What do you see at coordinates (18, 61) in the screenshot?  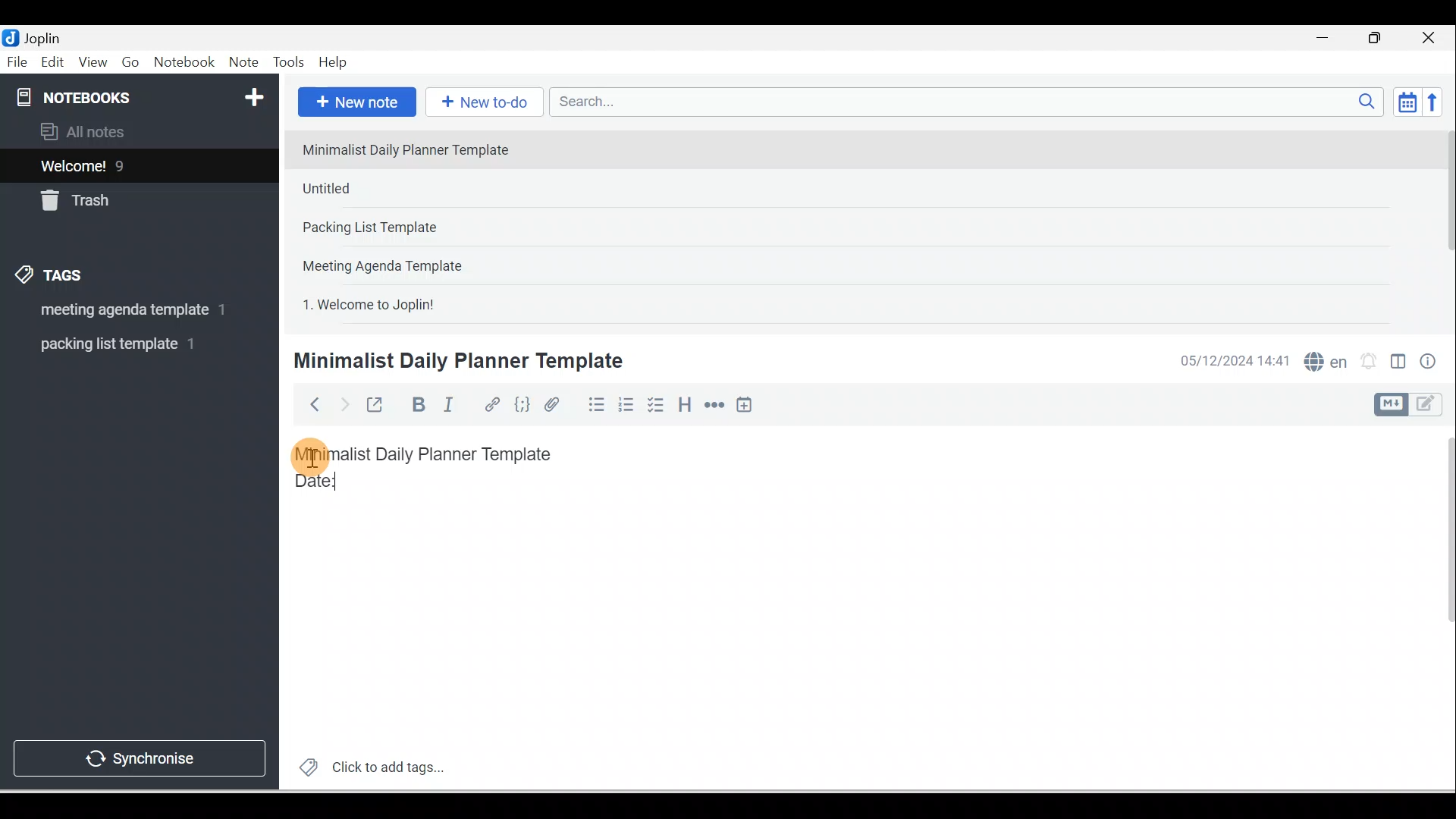 I see `File` at bounding box center [18, 61].